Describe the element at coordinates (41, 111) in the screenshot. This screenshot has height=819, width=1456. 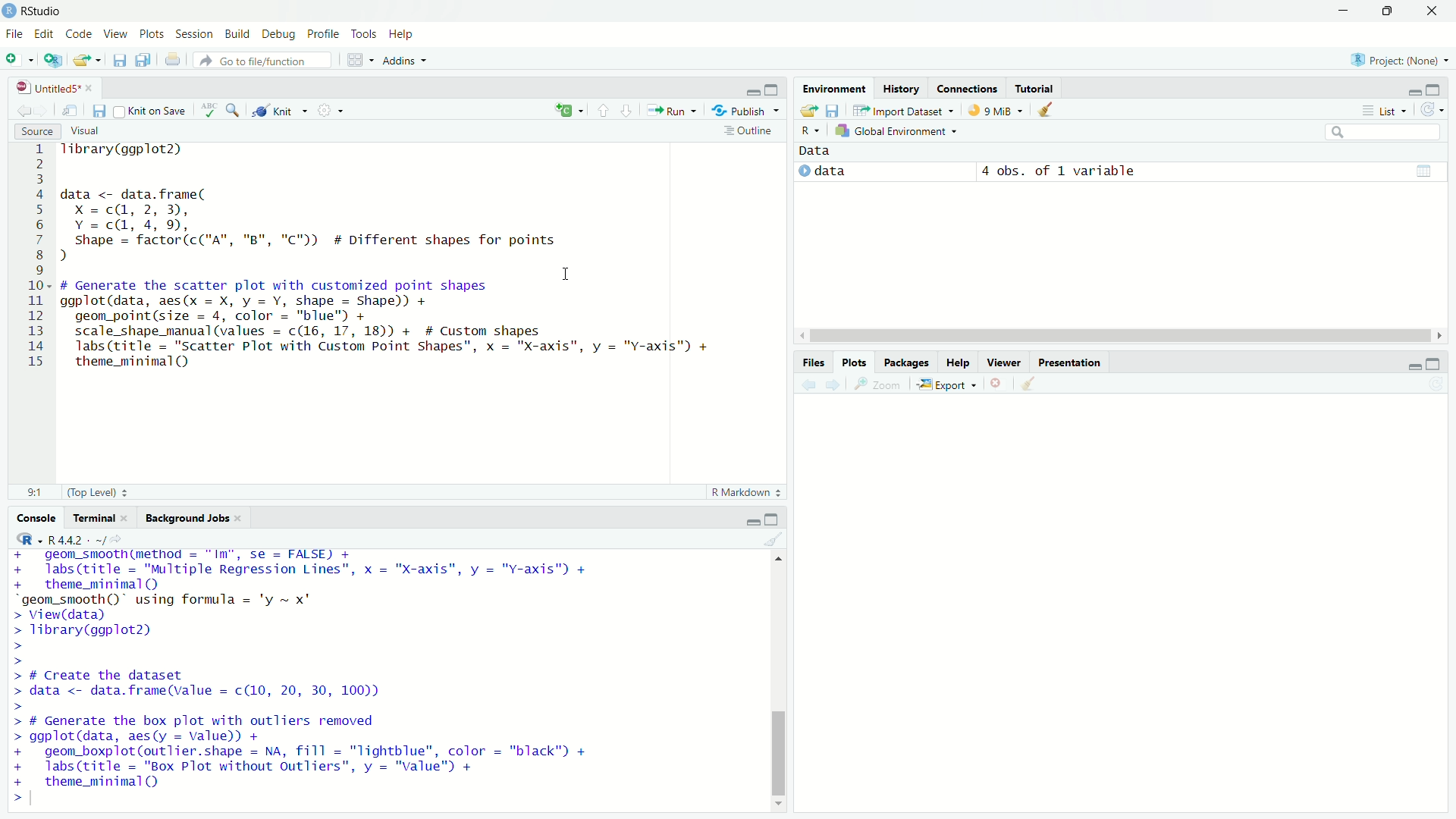
I see `Go forward to next source location` at that location.